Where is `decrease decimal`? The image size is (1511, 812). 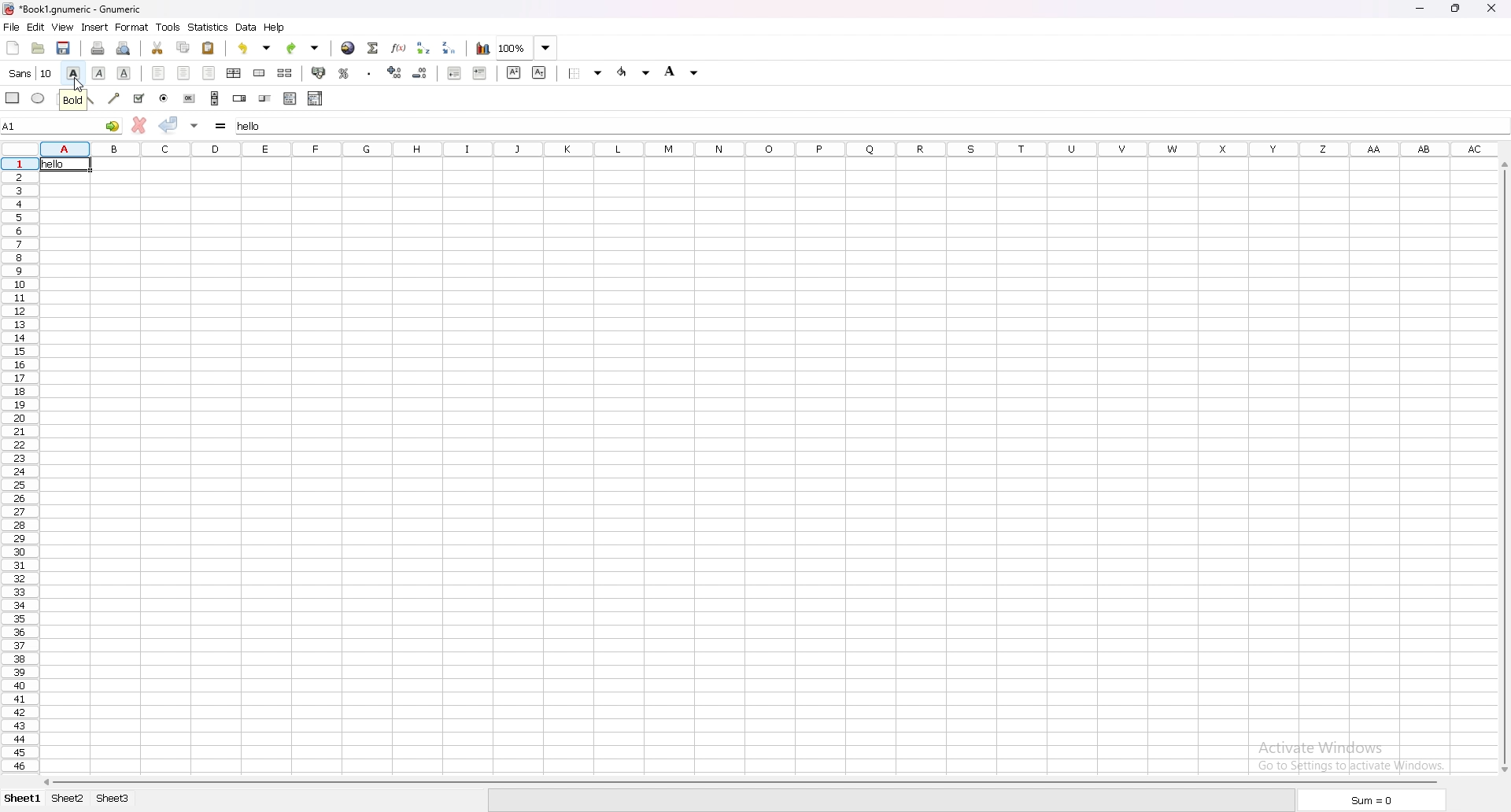
decrease decimal is located at coordinates (419, 73).